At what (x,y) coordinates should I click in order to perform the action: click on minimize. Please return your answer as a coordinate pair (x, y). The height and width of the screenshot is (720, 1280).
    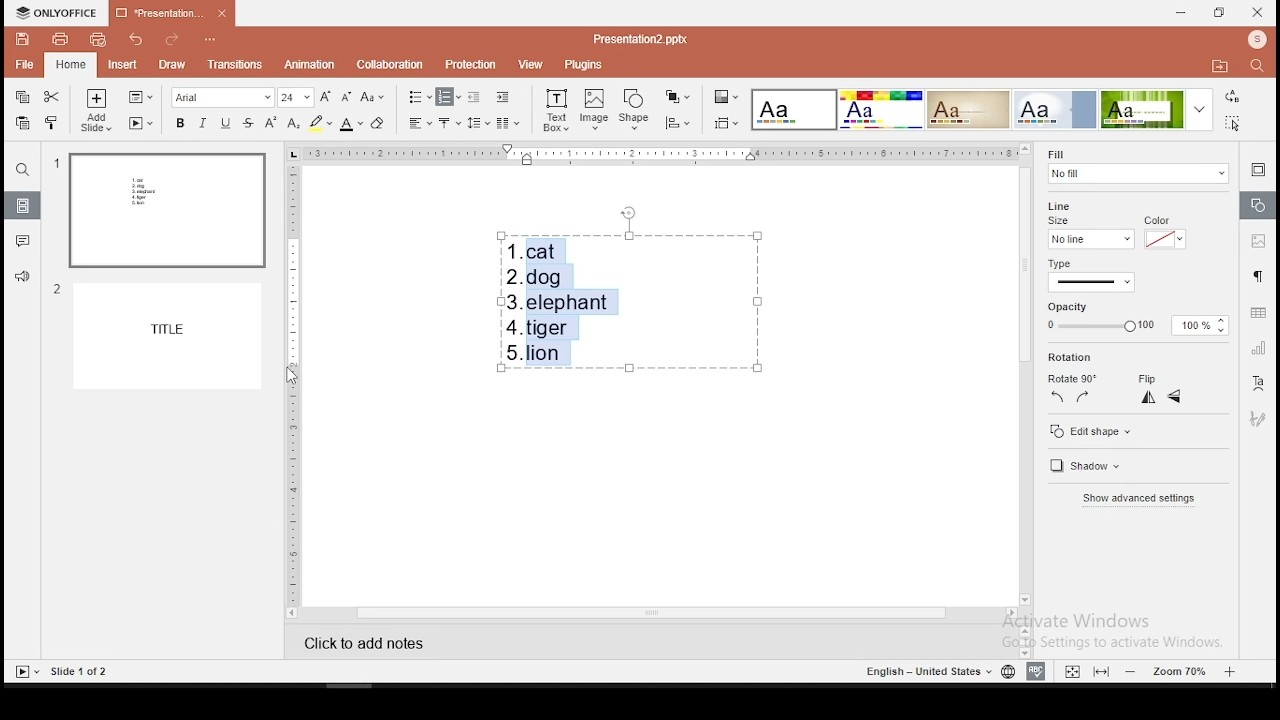
    Looking at the image, I should click on (1182, 13).